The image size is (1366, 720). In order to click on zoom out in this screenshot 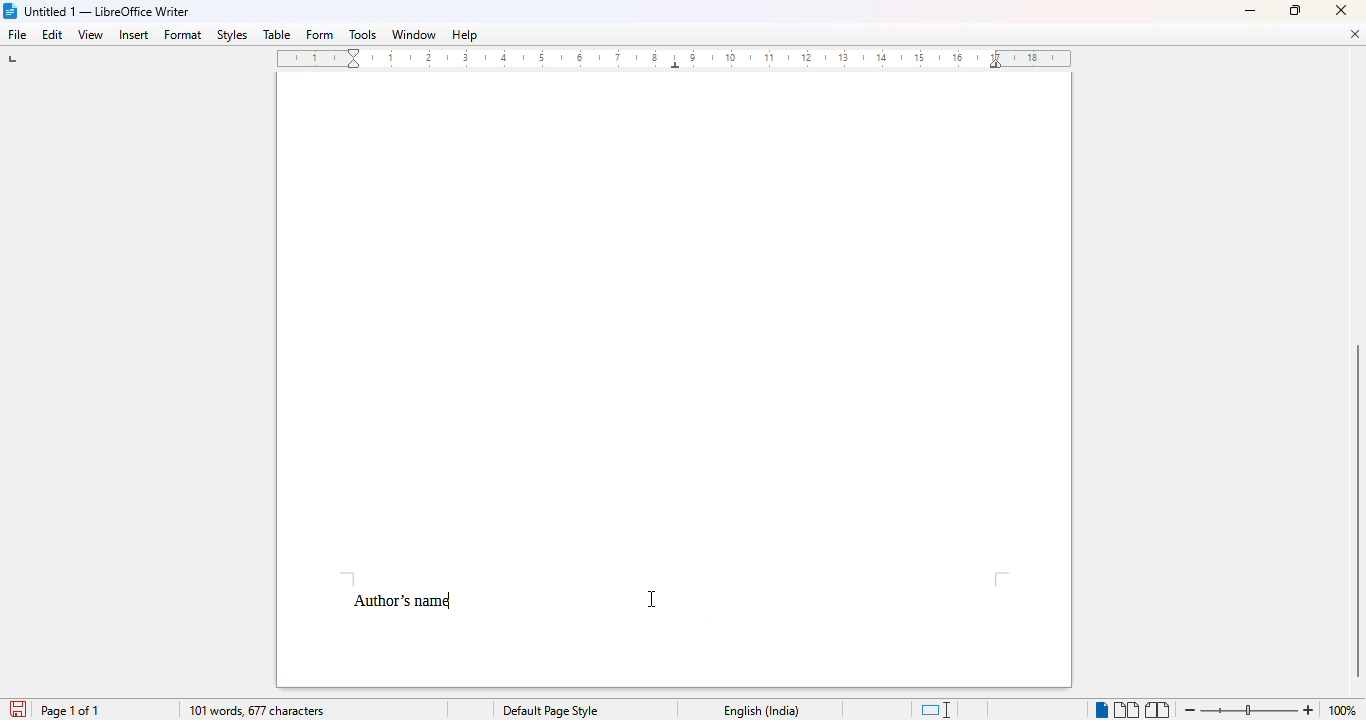, I will do `click(1190, 709)`.